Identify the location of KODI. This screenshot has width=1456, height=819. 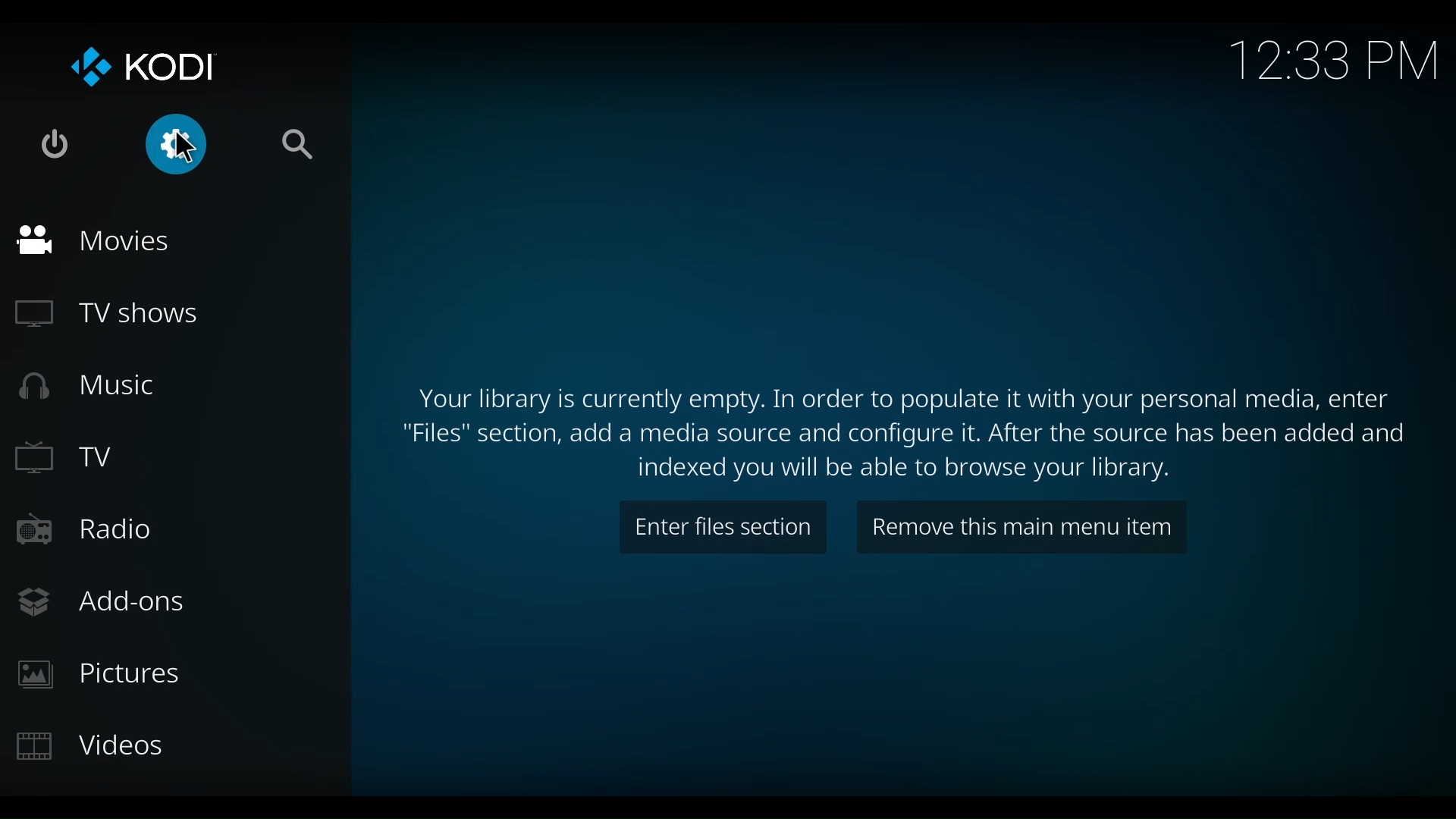
(143, 64).